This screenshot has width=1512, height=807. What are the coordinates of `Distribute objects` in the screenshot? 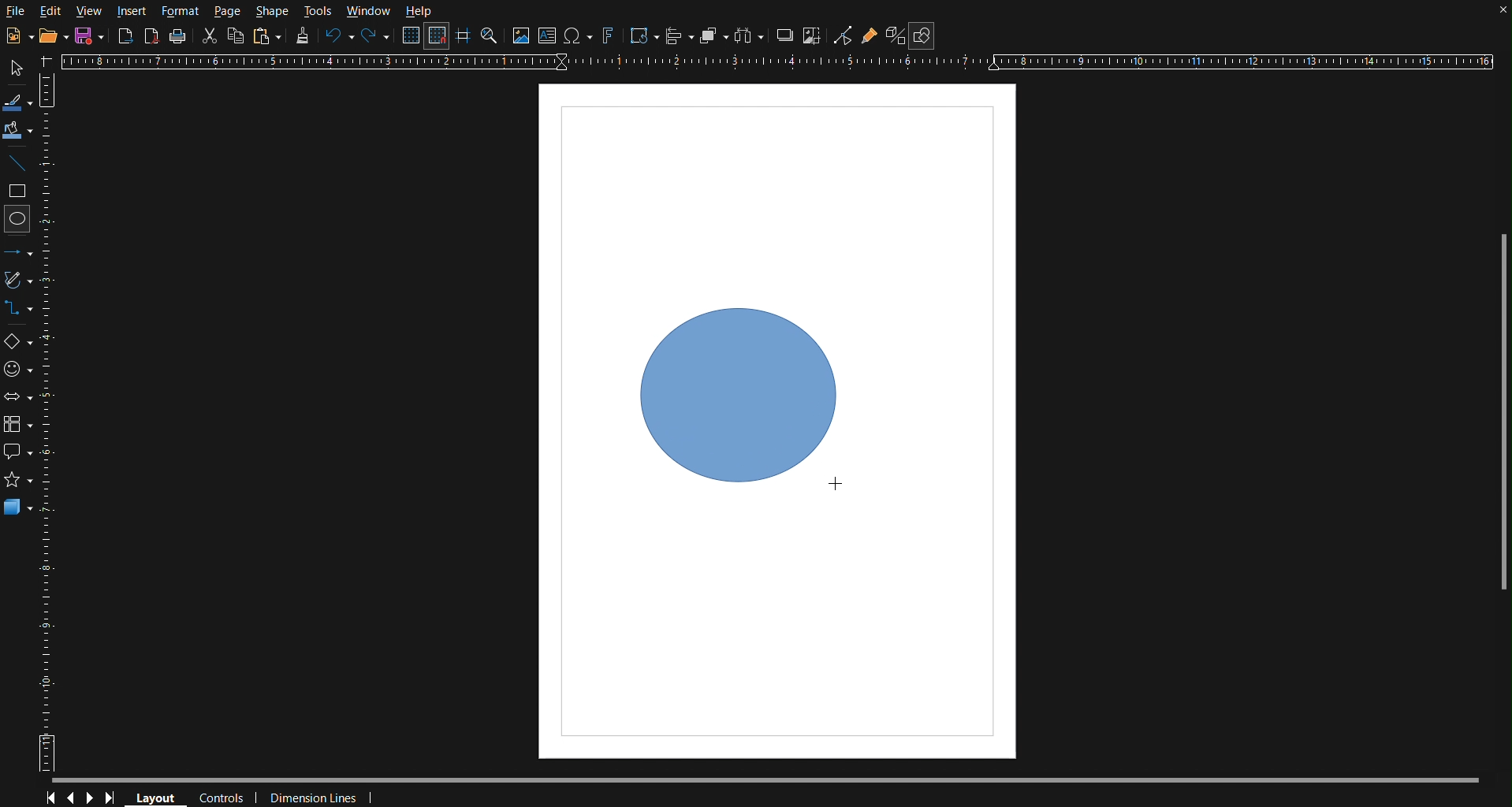 It's located at (754, 37).